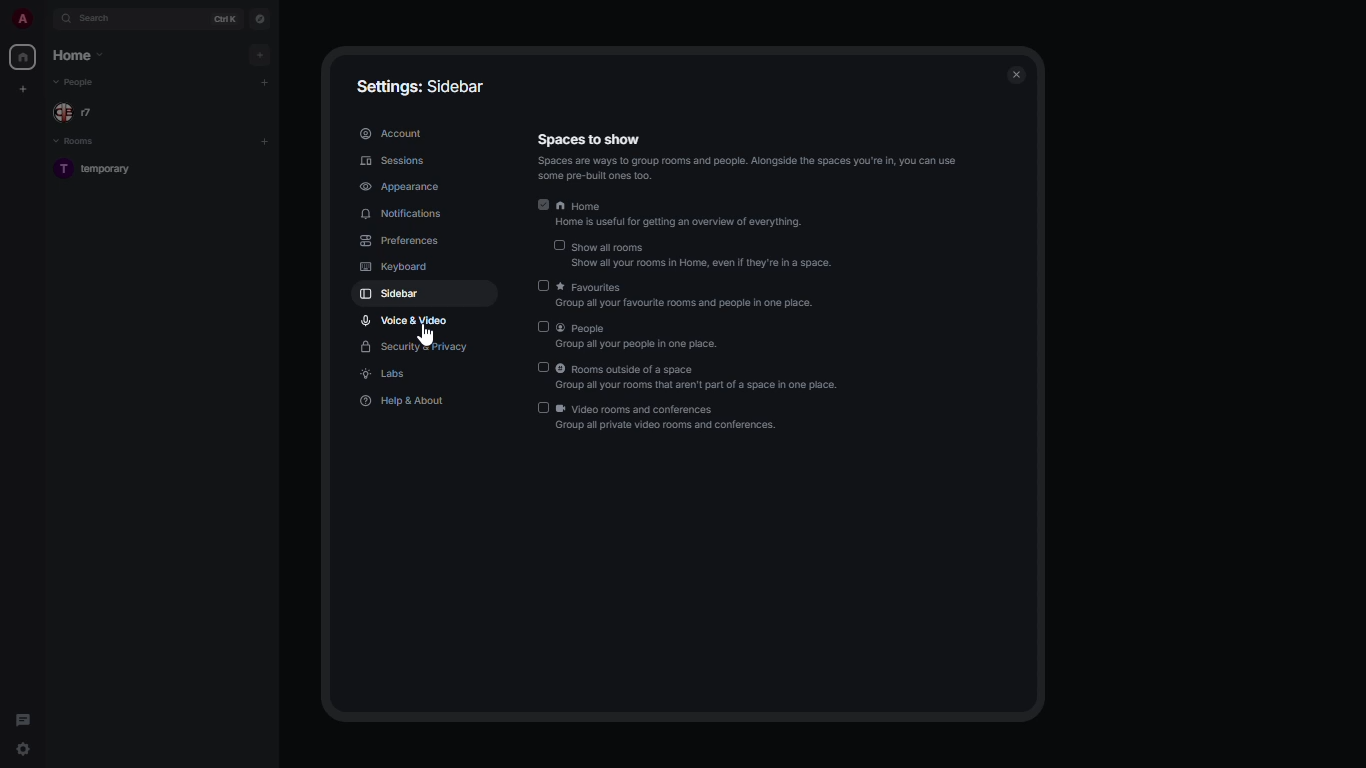 Image resolution: width=1366 pixels, height=768 pixels. What do you see at coordinates (407, 215) in the screenshot?
I see `notifications` at bounding box center [407, 215].